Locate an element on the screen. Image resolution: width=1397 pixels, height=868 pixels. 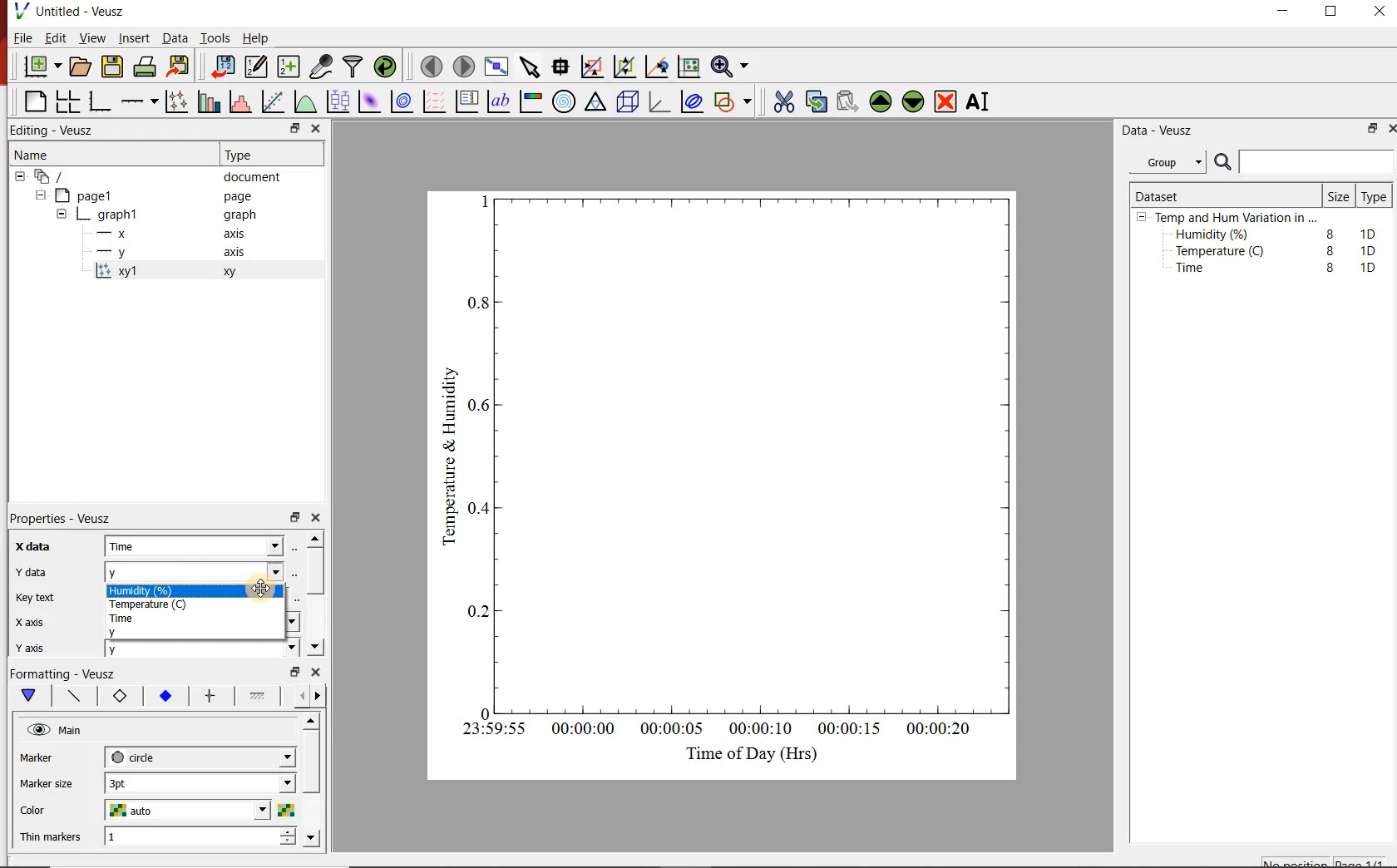
Untitled - Veusz is located at coordinates (74, 11).